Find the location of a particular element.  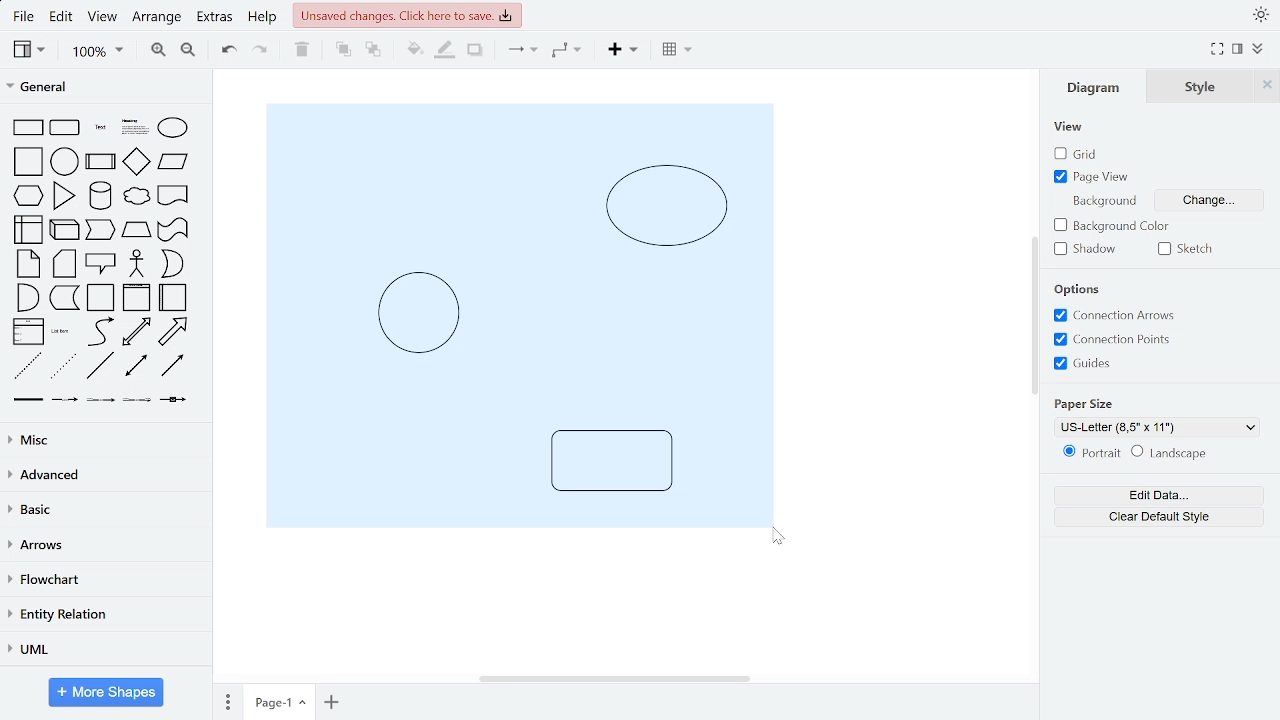

connection arrows is located at coordinates (1114, 315).